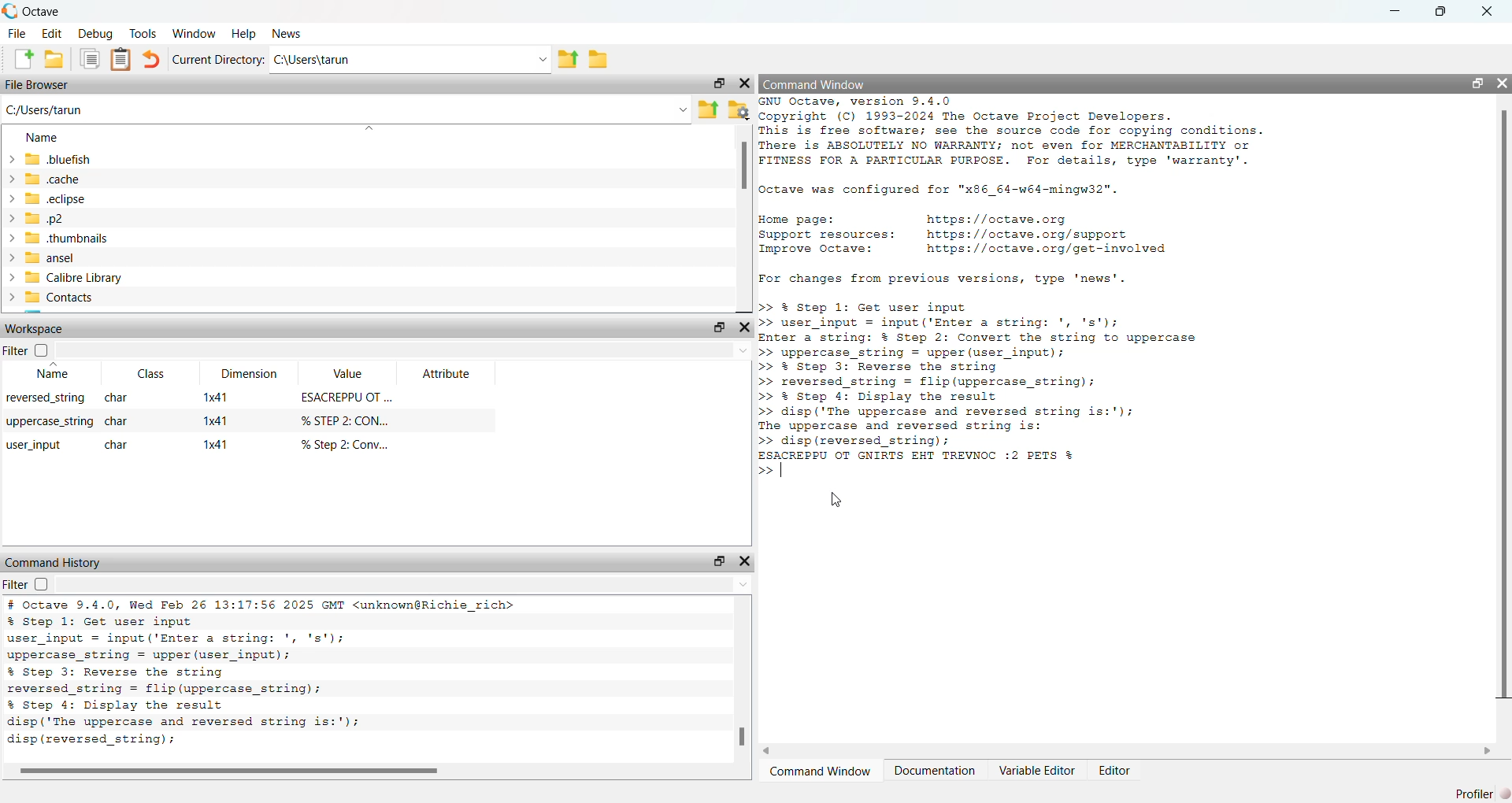 The image size is (1512, 803). I want to click on .eclipse, so click(90, 200).